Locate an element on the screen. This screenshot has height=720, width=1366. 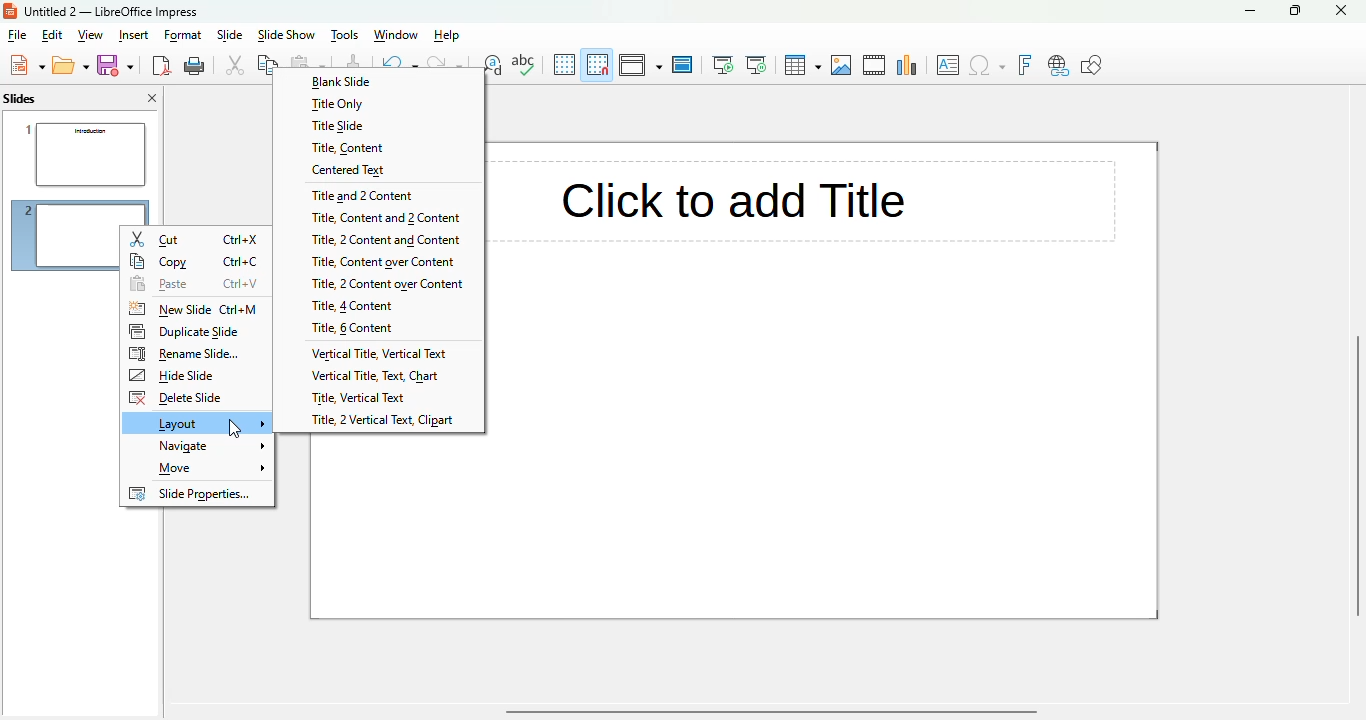
cut is located at coordinates (198, 239).